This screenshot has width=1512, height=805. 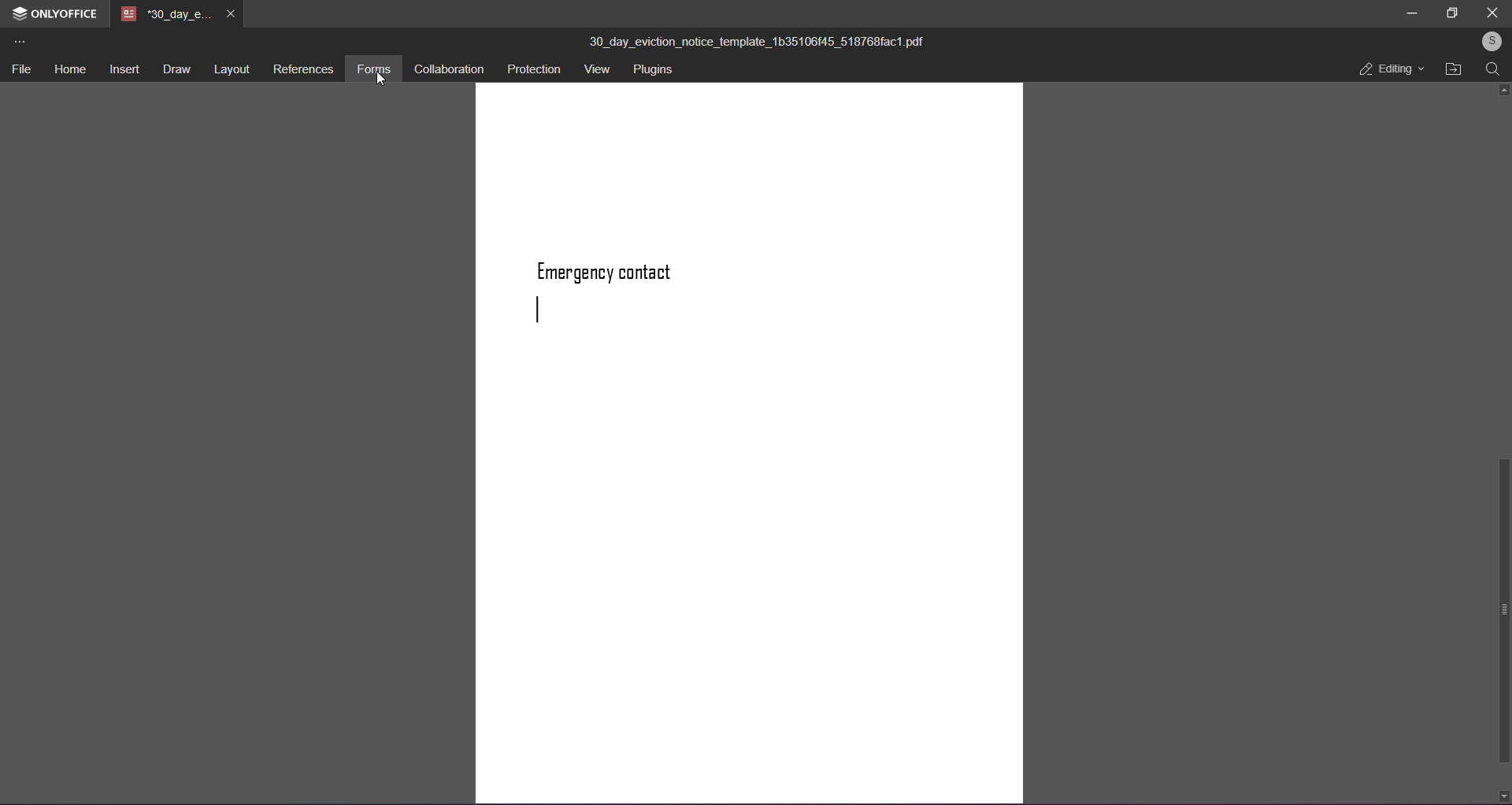 What do you see at coordinates (1388, 72) in the screenshot?
I see `editing` at bounding box center [1388, 72].